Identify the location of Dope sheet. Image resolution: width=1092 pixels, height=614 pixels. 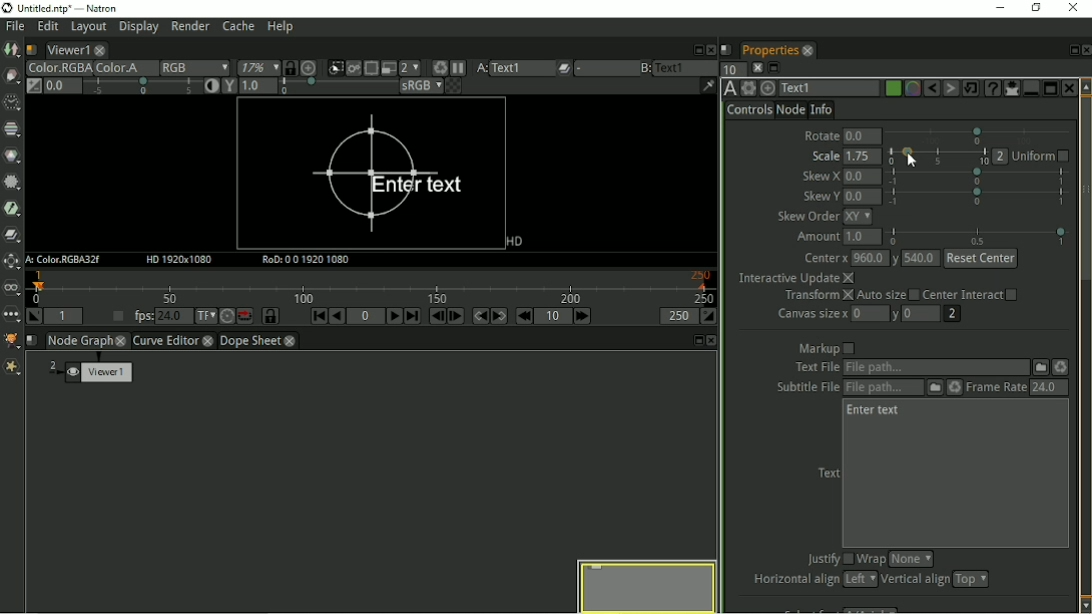
(262, 341).